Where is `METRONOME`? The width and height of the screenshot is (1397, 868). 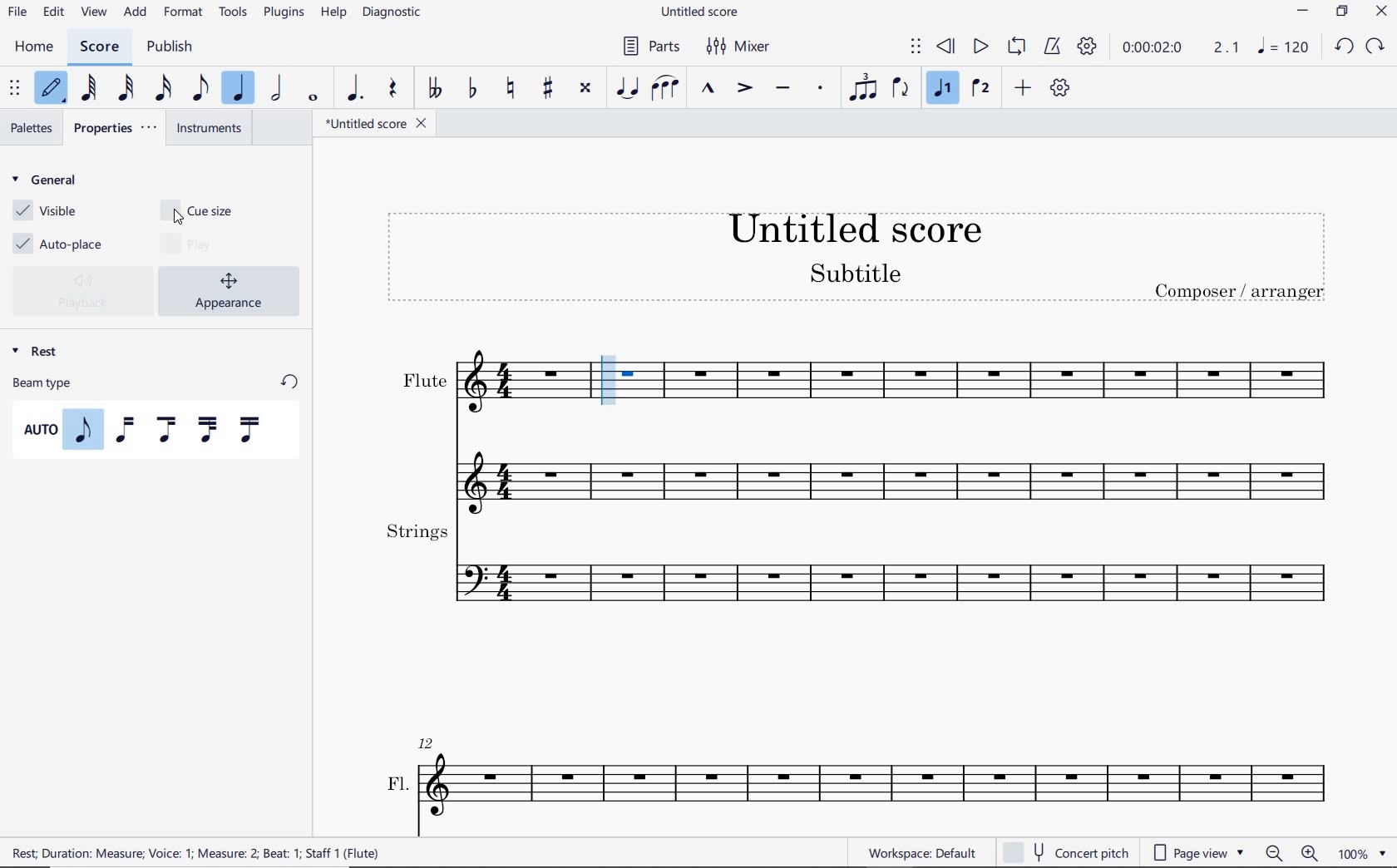
METRONOME is located at coordinates (1055, 48).